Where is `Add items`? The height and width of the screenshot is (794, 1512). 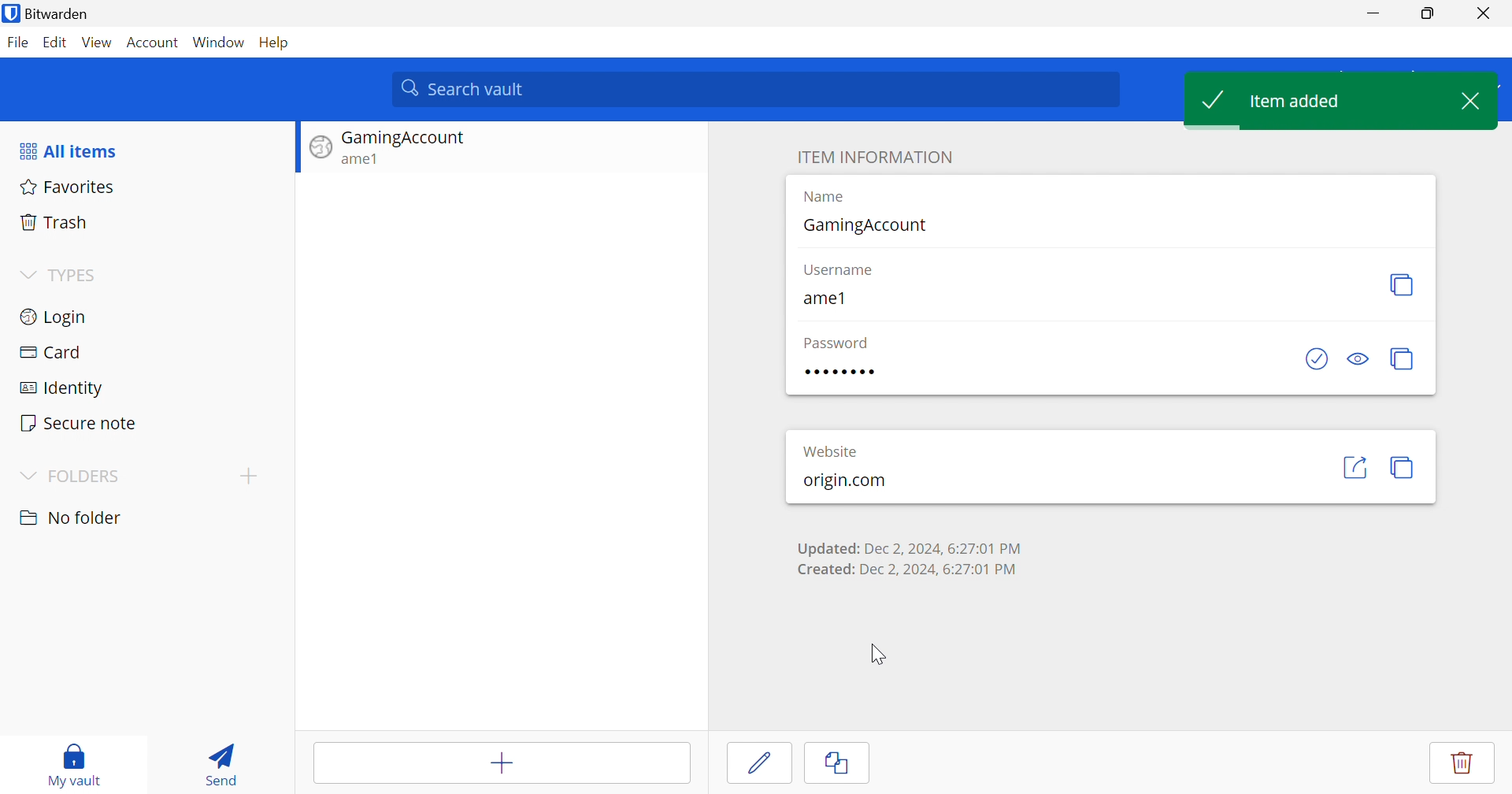 Add items is located at coordinates (505, 760).